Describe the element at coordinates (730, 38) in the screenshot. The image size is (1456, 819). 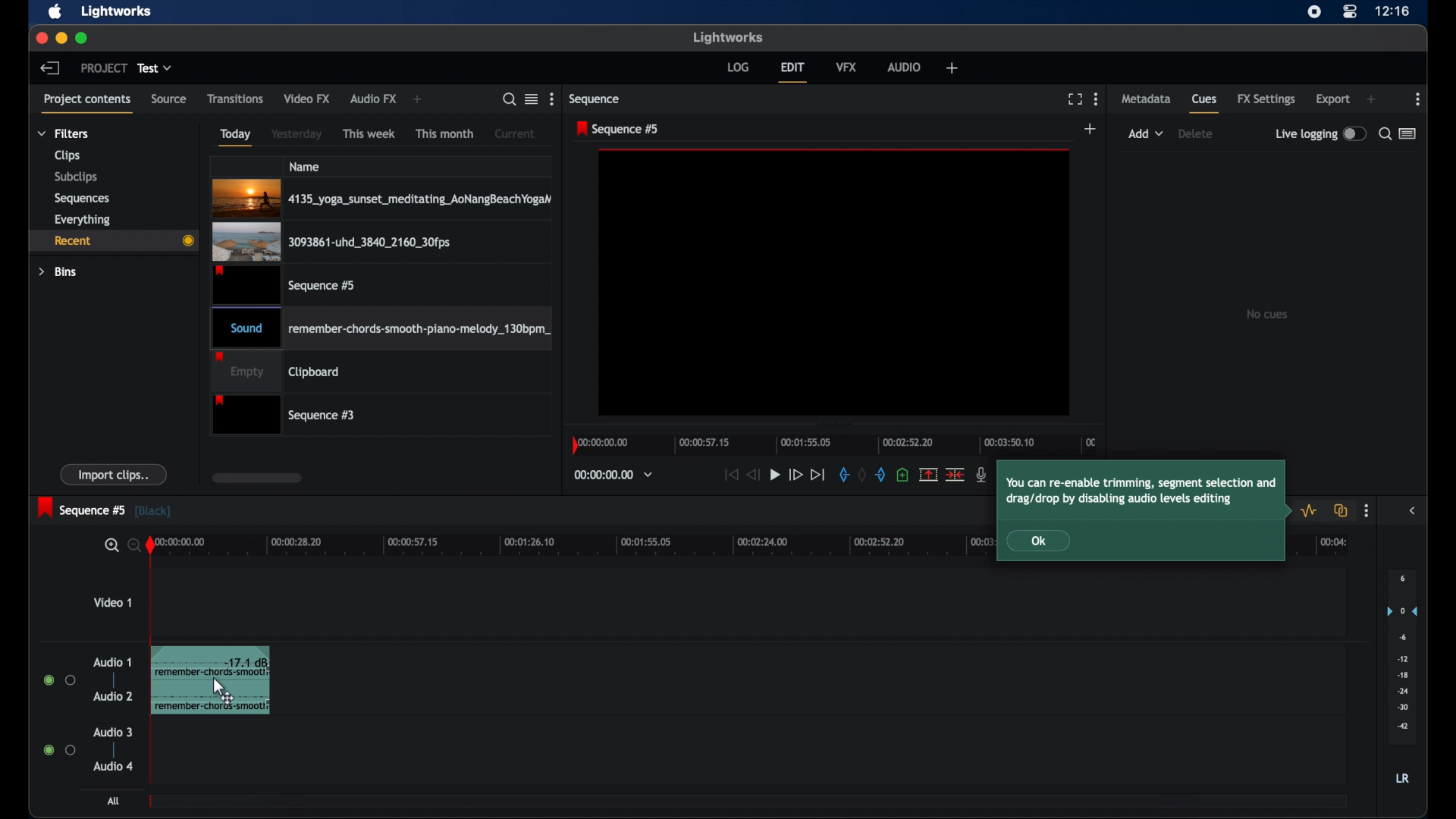
I see `lightworks` at that location.